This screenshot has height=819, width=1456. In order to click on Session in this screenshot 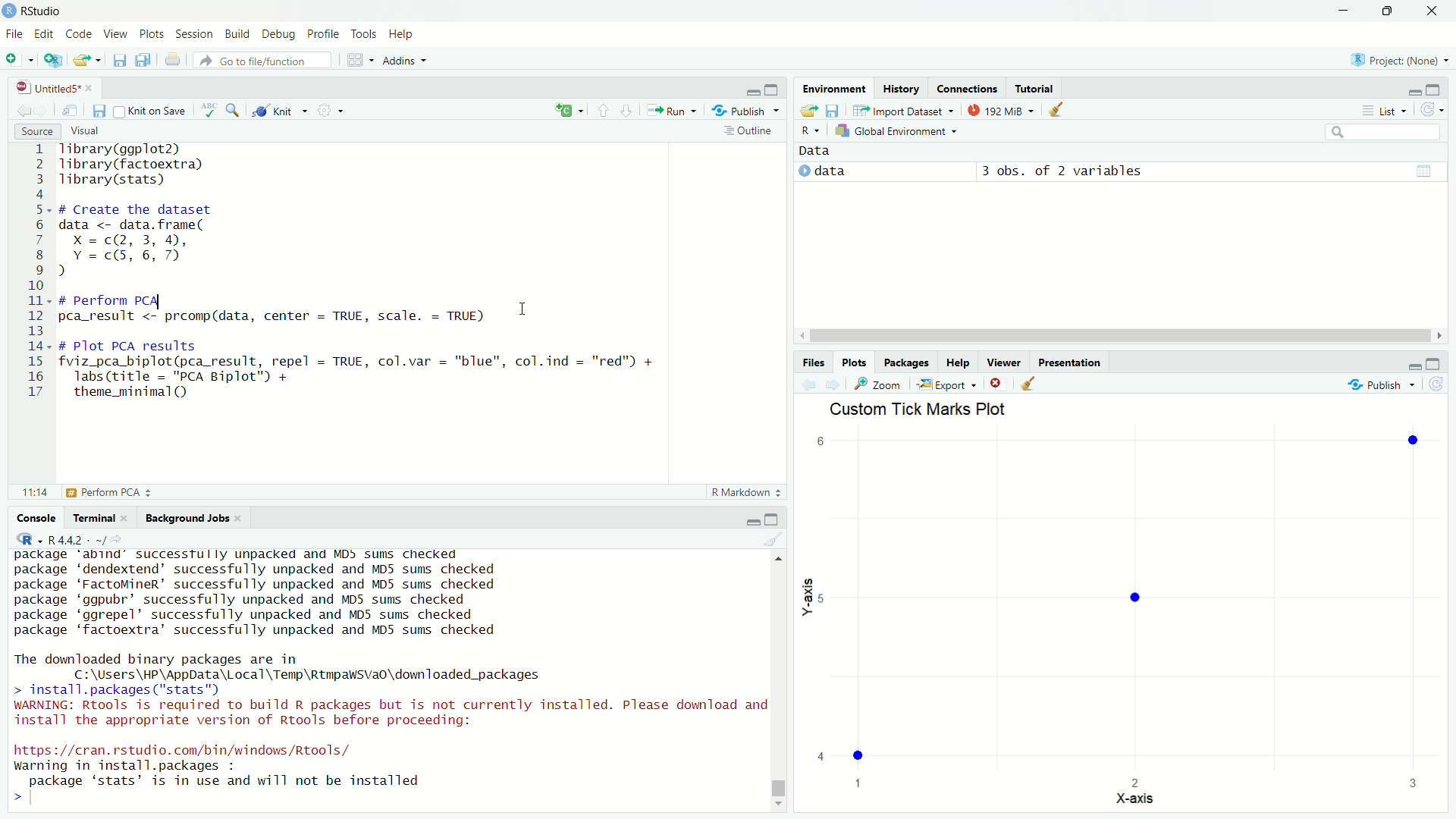, I will do `click(196, 35)`.